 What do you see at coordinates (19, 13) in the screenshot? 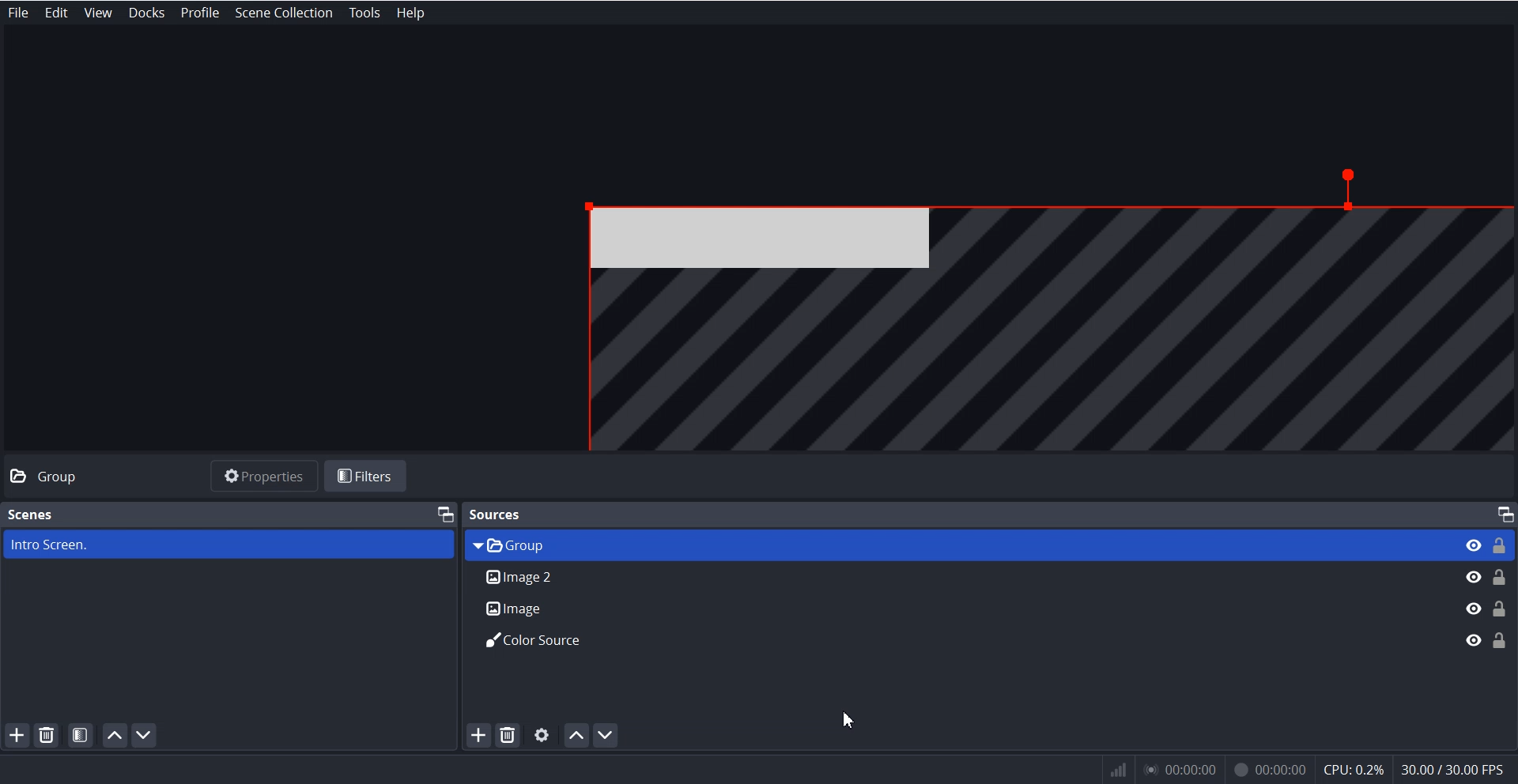
I see `File` at bounding box center [19, 13].